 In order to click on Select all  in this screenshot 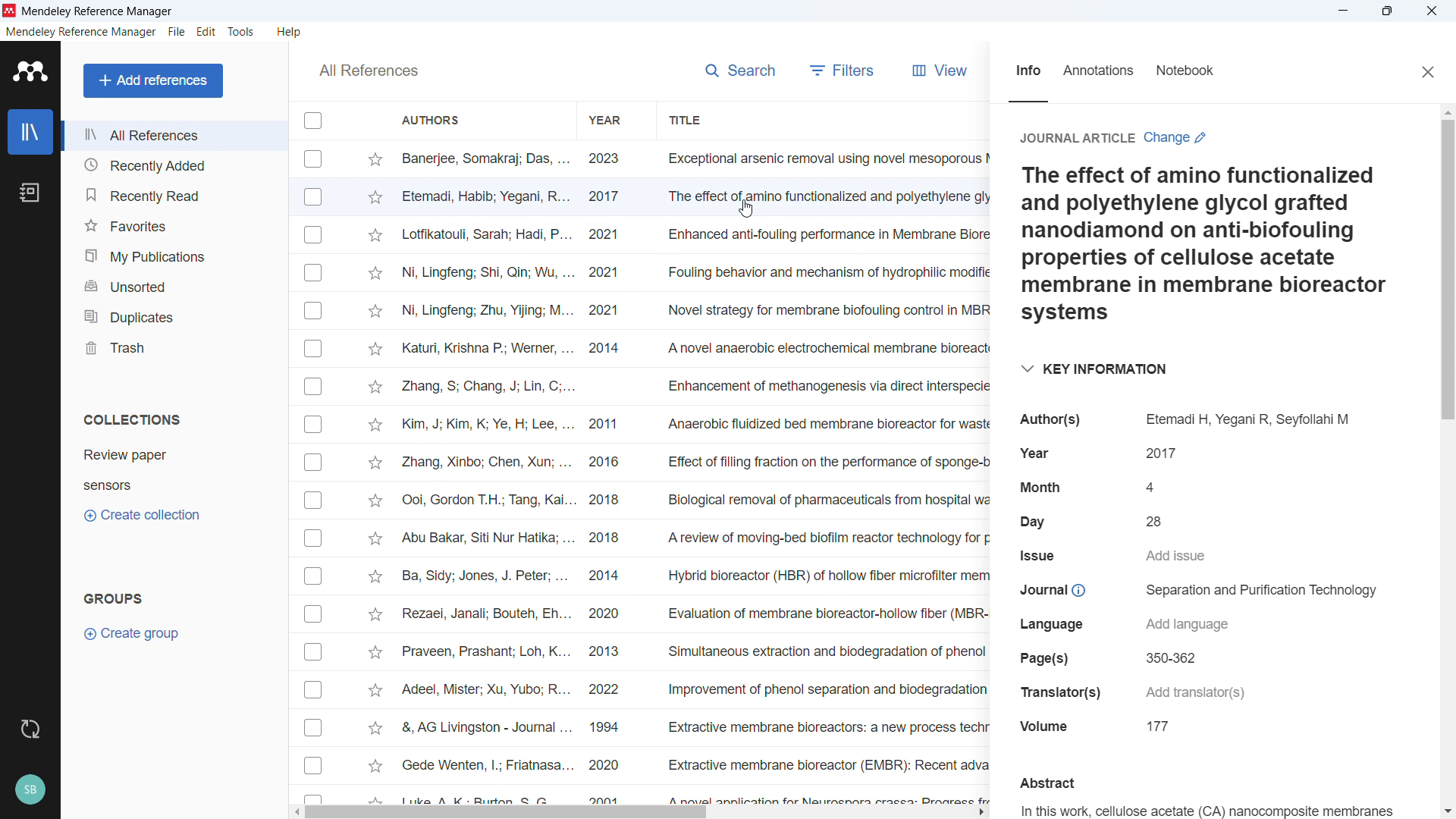, I will do `click(312, 121)`.